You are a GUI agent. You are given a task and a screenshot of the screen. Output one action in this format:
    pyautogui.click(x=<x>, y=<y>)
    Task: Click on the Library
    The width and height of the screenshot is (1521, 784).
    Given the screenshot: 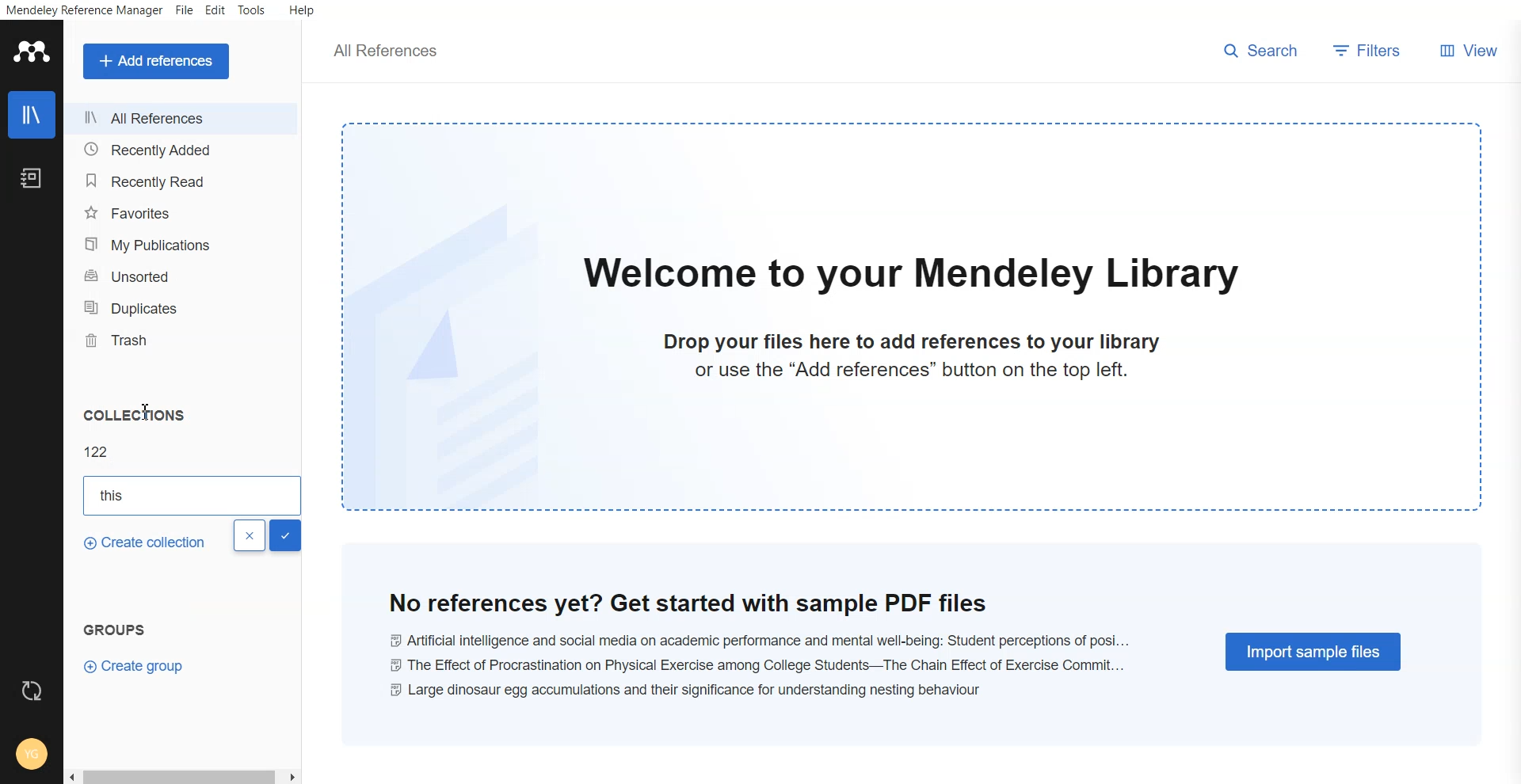 What is the action you would take?
    pyautogui.click(x=32, y=115)
    